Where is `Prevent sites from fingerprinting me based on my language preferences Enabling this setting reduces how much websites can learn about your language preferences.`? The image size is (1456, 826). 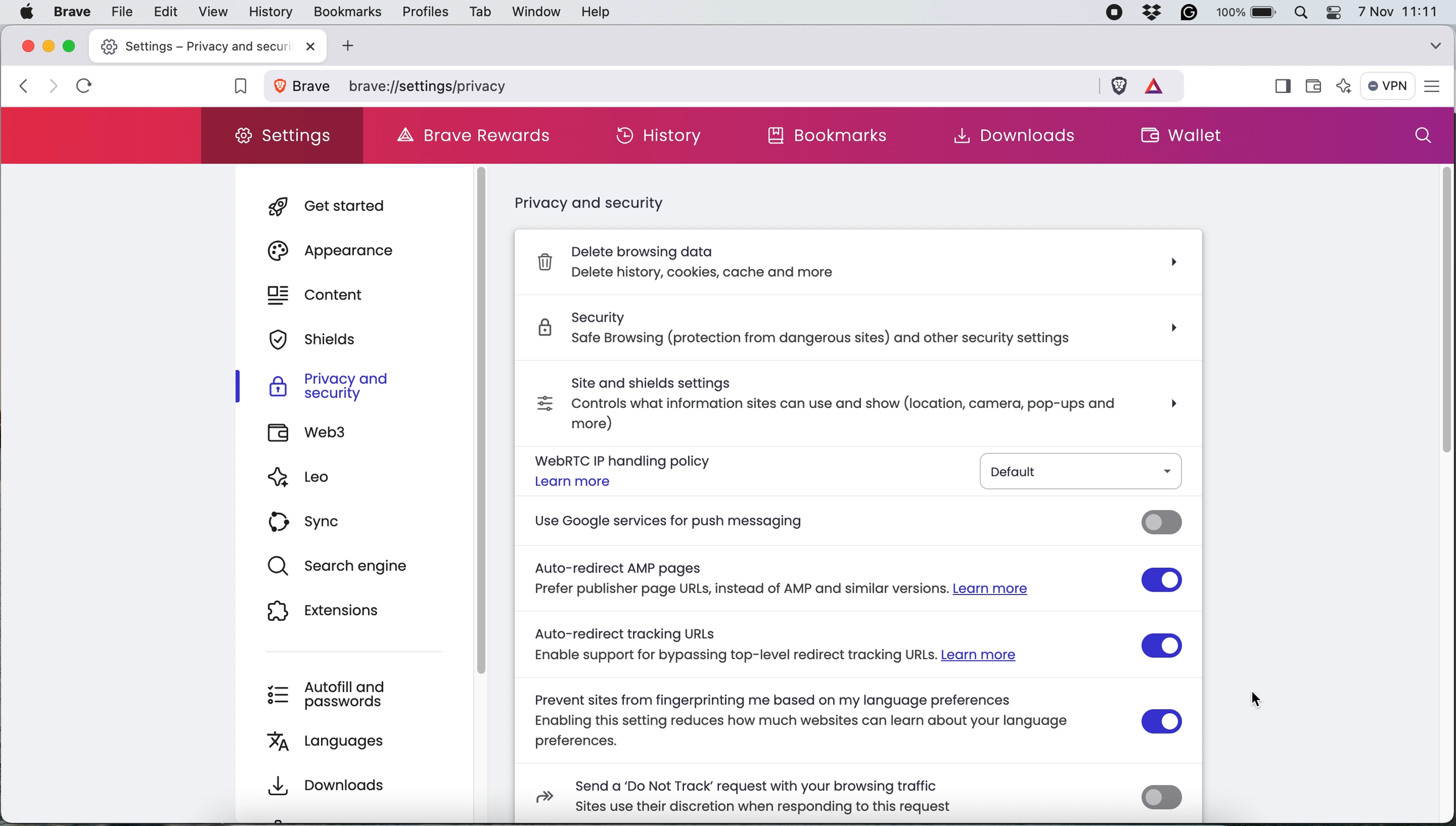 Prevent sites from fingerprinting me based on my language preferences Enabling this setting reduces how much websites can learn about your language preferences. is located at coordinates (822, 723).